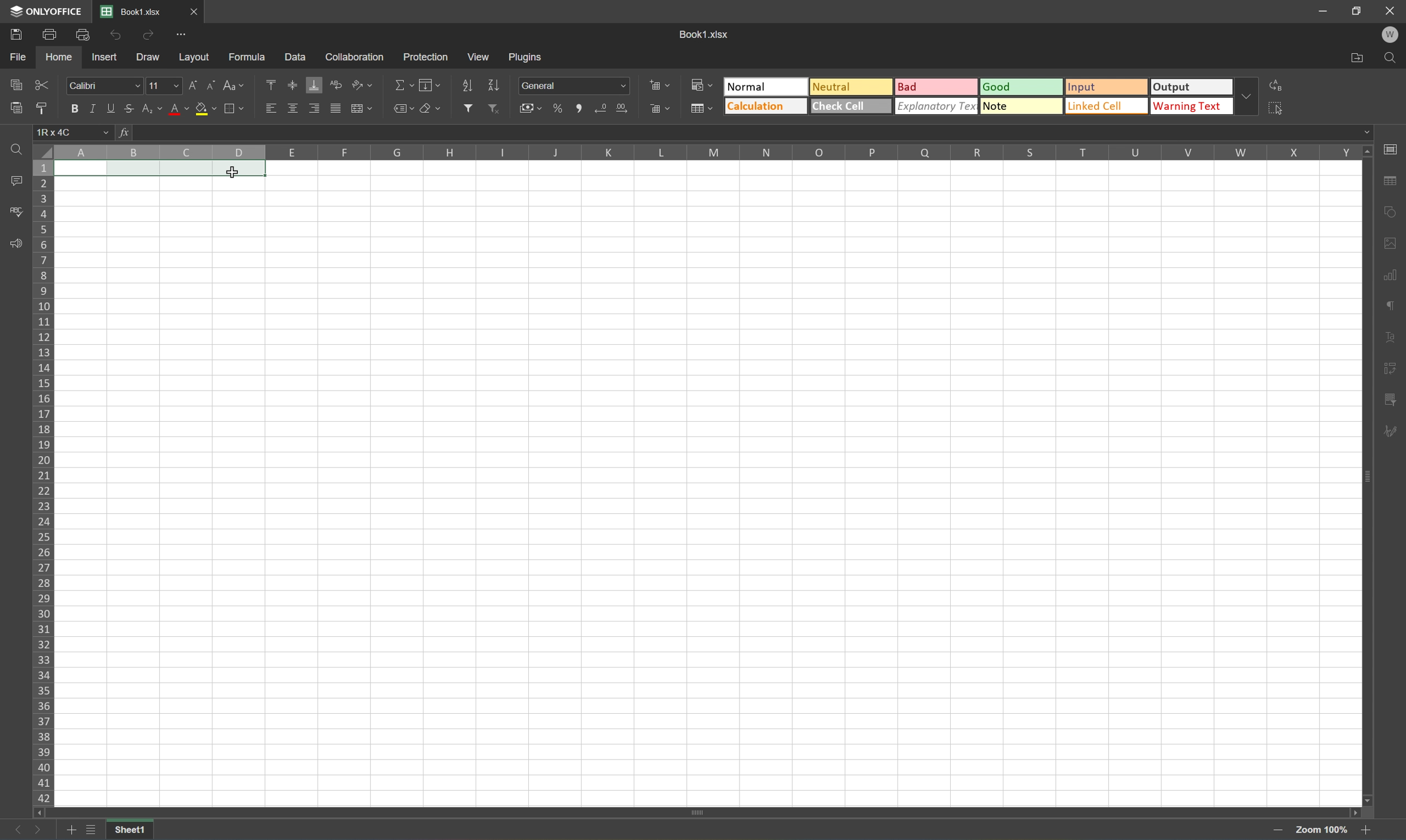 The height and width of the screenshot is (840, 1406). I want to click on Comma style, so click(582, 109).